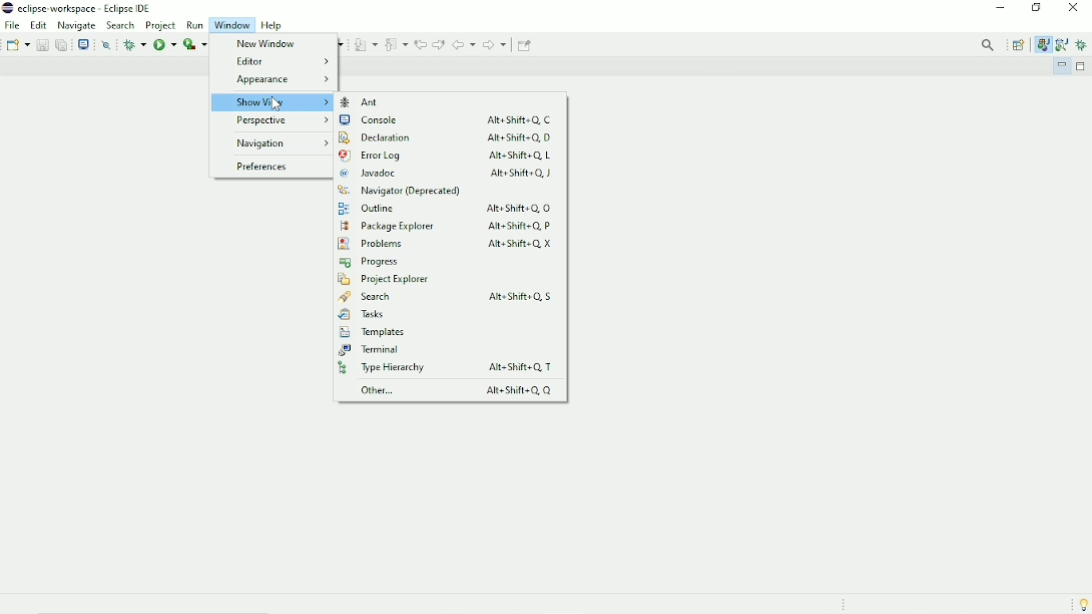 The image size is (1092, 614). Describe the element at coordinates (275, 25) in the screenshot. I see `Help` at that location.